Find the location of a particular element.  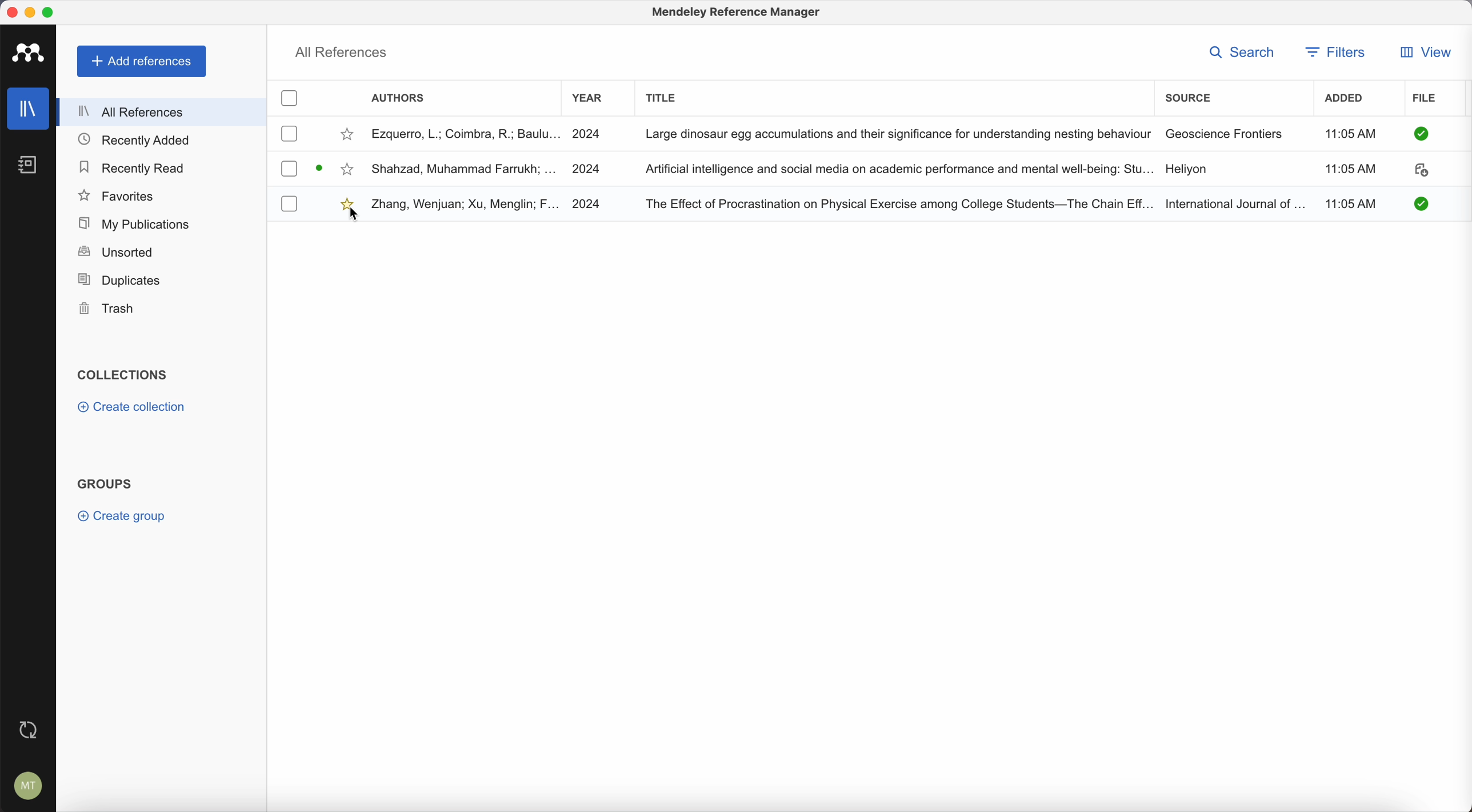

search is located at coordinates (1241, 51).